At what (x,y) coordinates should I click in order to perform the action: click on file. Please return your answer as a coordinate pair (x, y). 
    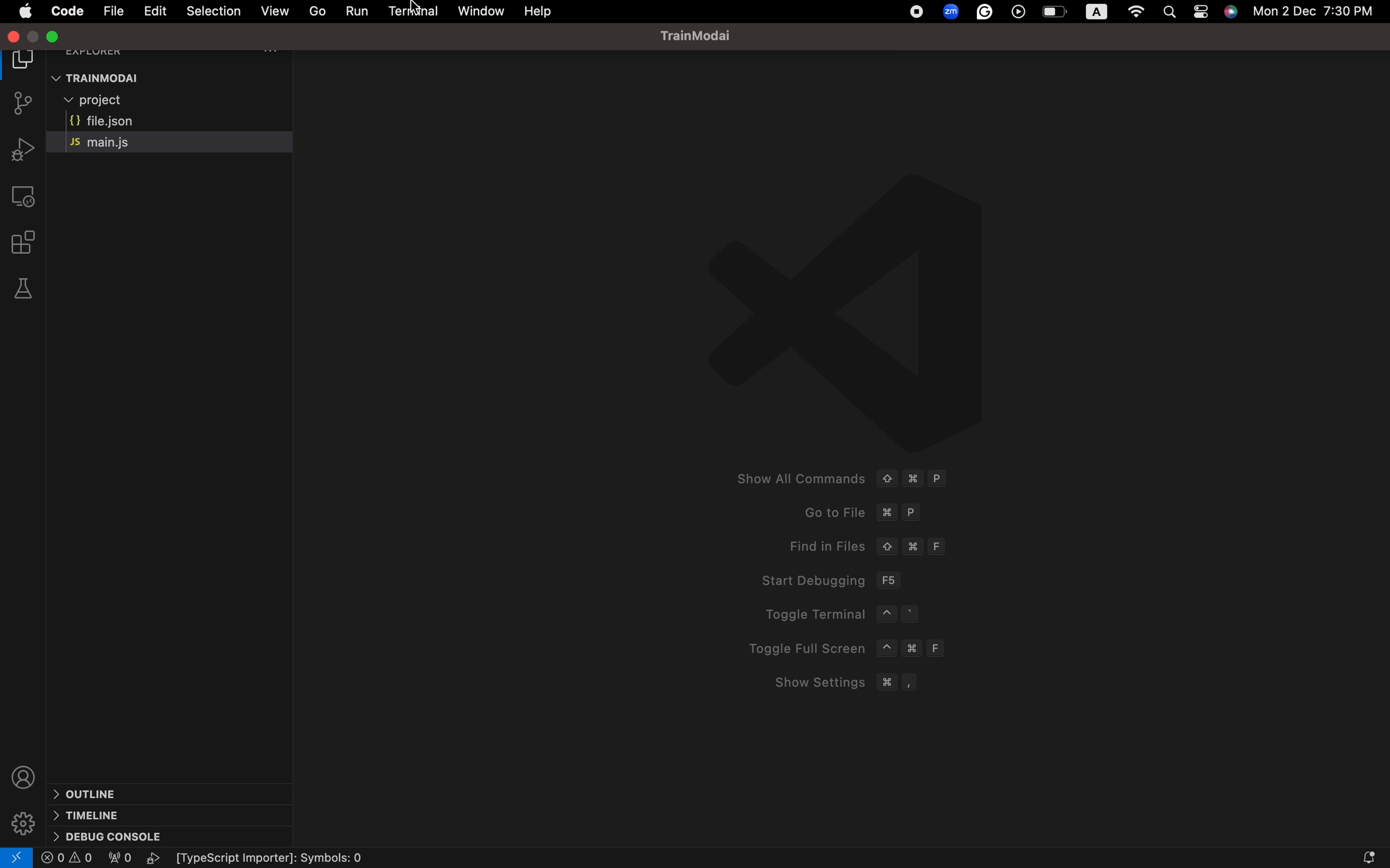
    Looking at the image, I should click on (113, 10).